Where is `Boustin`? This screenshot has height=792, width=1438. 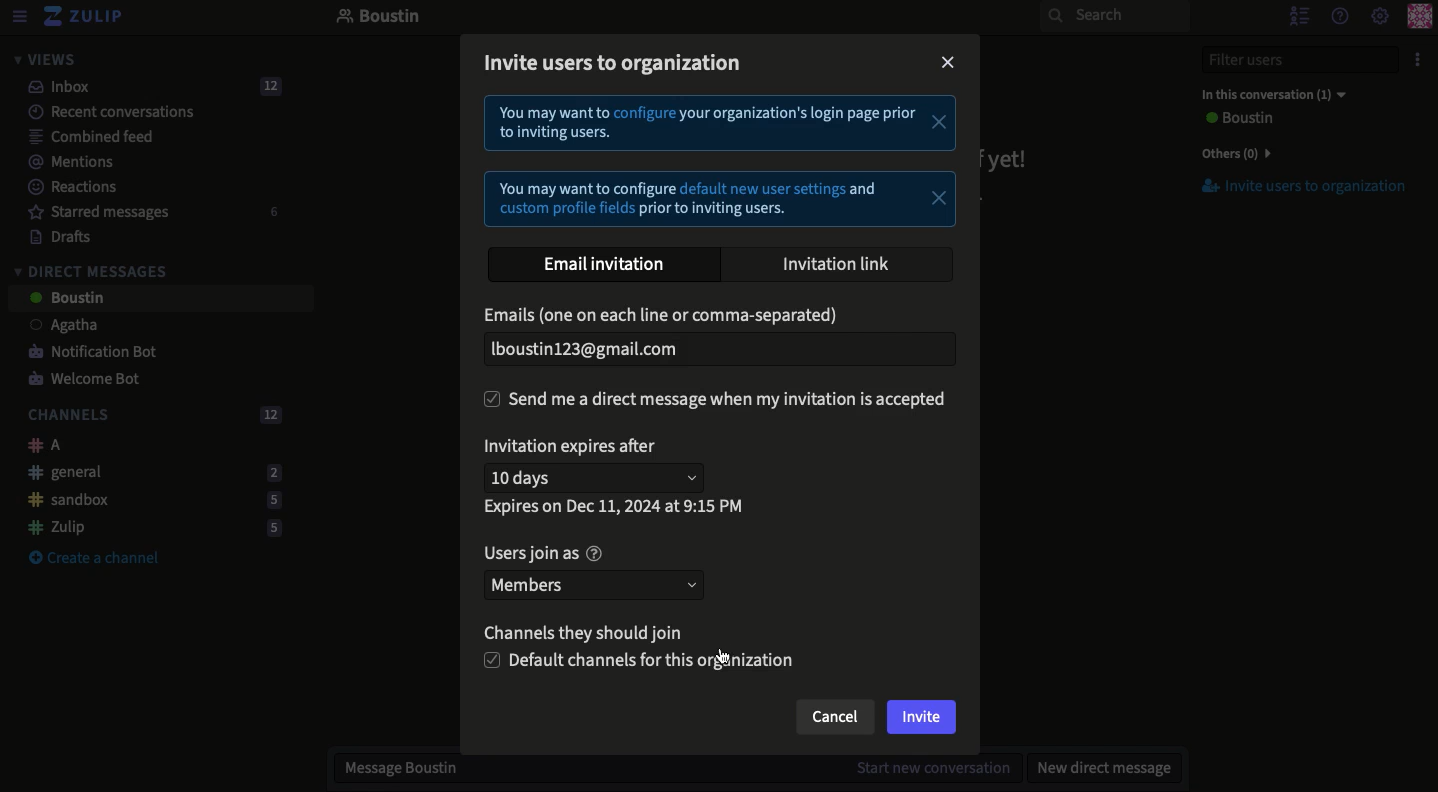
Boustin is located at coordinates (379, 18).